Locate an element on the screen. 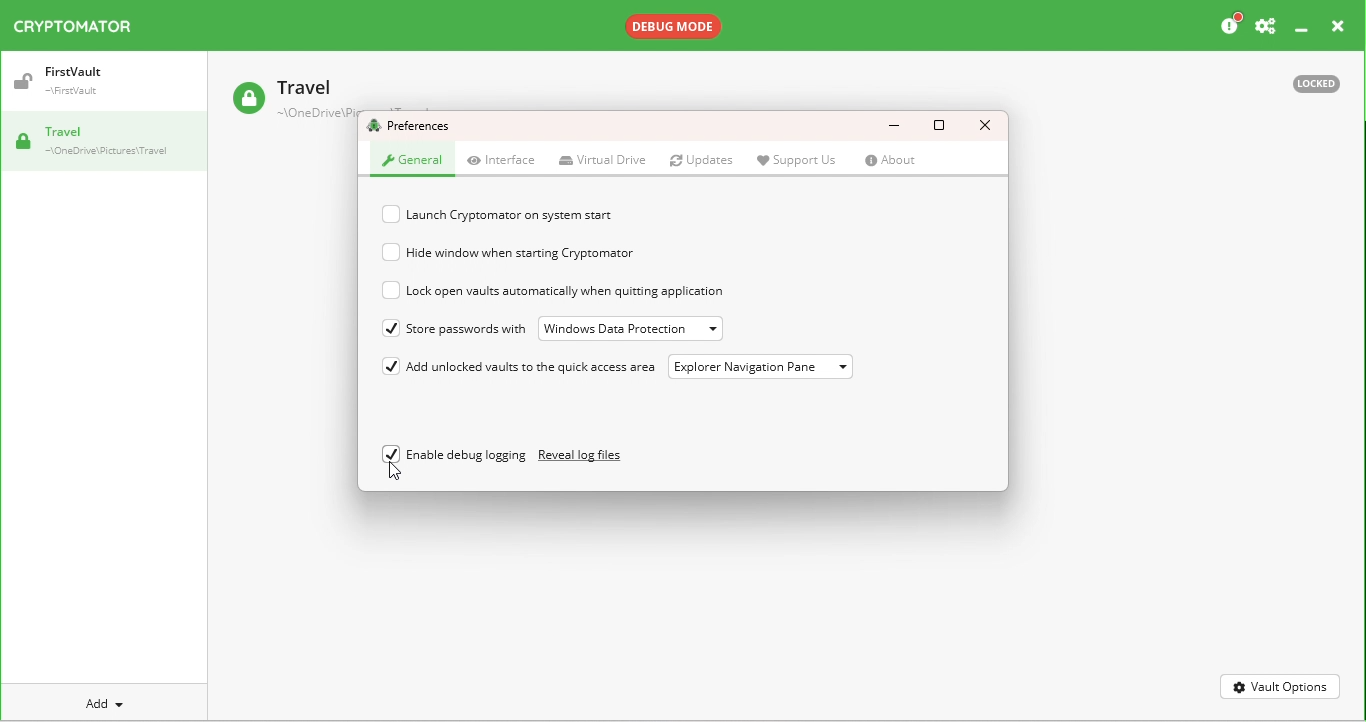  Store passwords with is located at coordinates (466, 327).